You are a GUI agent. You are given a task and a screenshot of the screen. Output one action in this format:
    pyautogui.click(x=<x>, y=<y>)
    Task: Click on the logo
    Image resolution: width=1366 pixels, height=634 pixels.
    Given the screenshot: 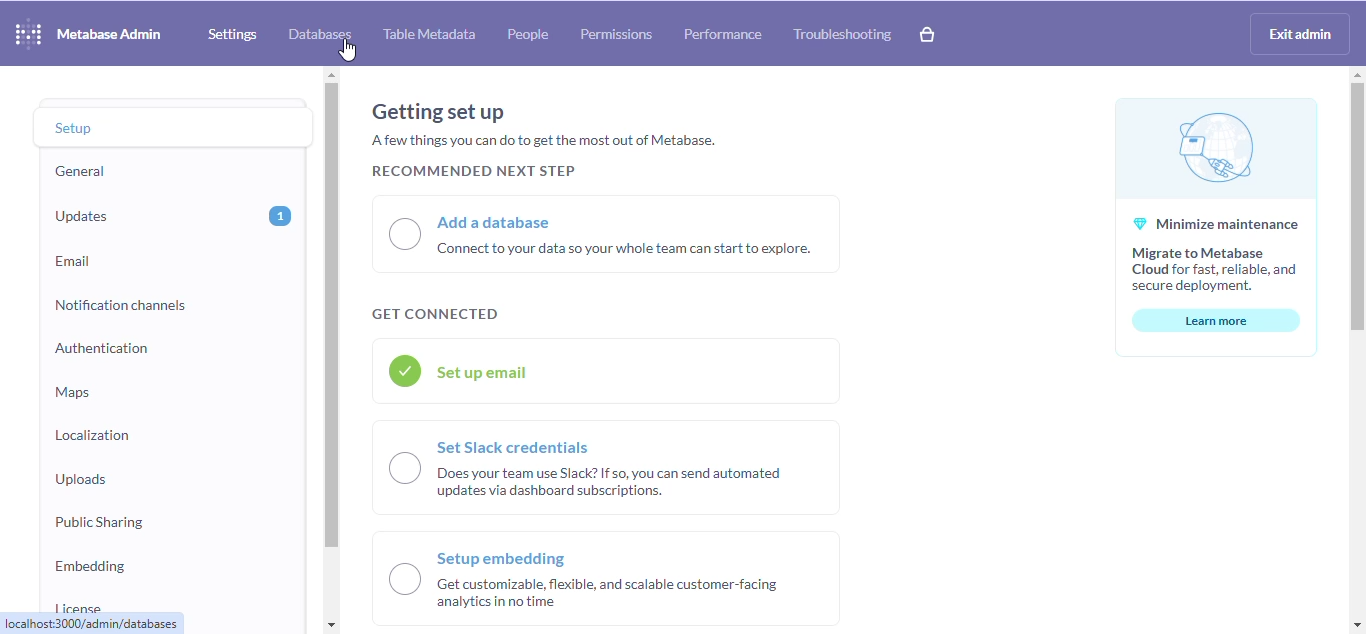 What is the action you would take?
    pyautogui.click(x=28, y=33)
    